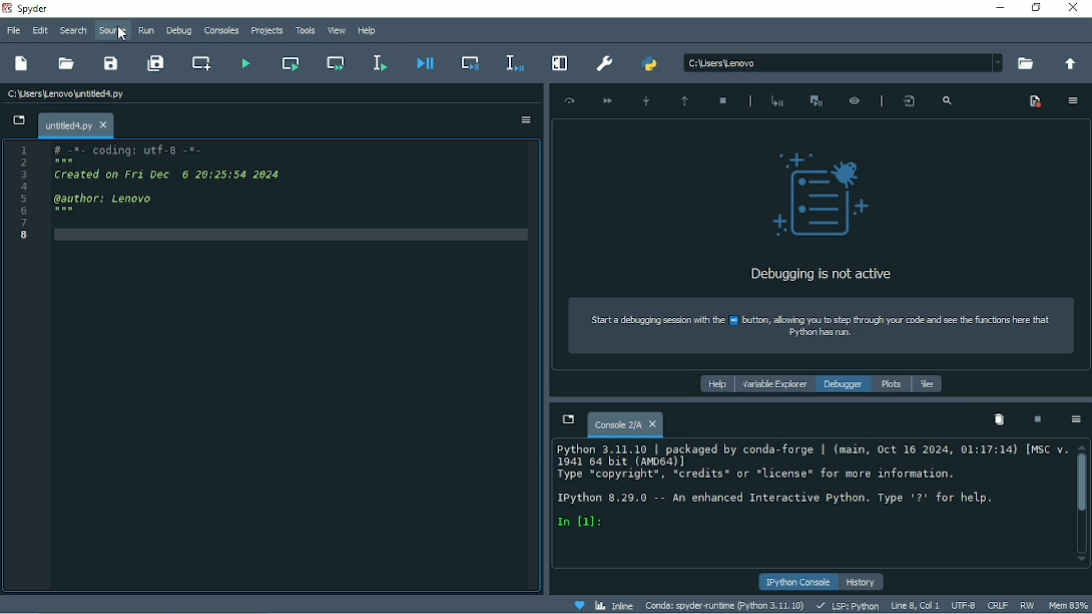  Describe the element at coordinates (72, 30) in the screenshot. I see `Search` at that location.